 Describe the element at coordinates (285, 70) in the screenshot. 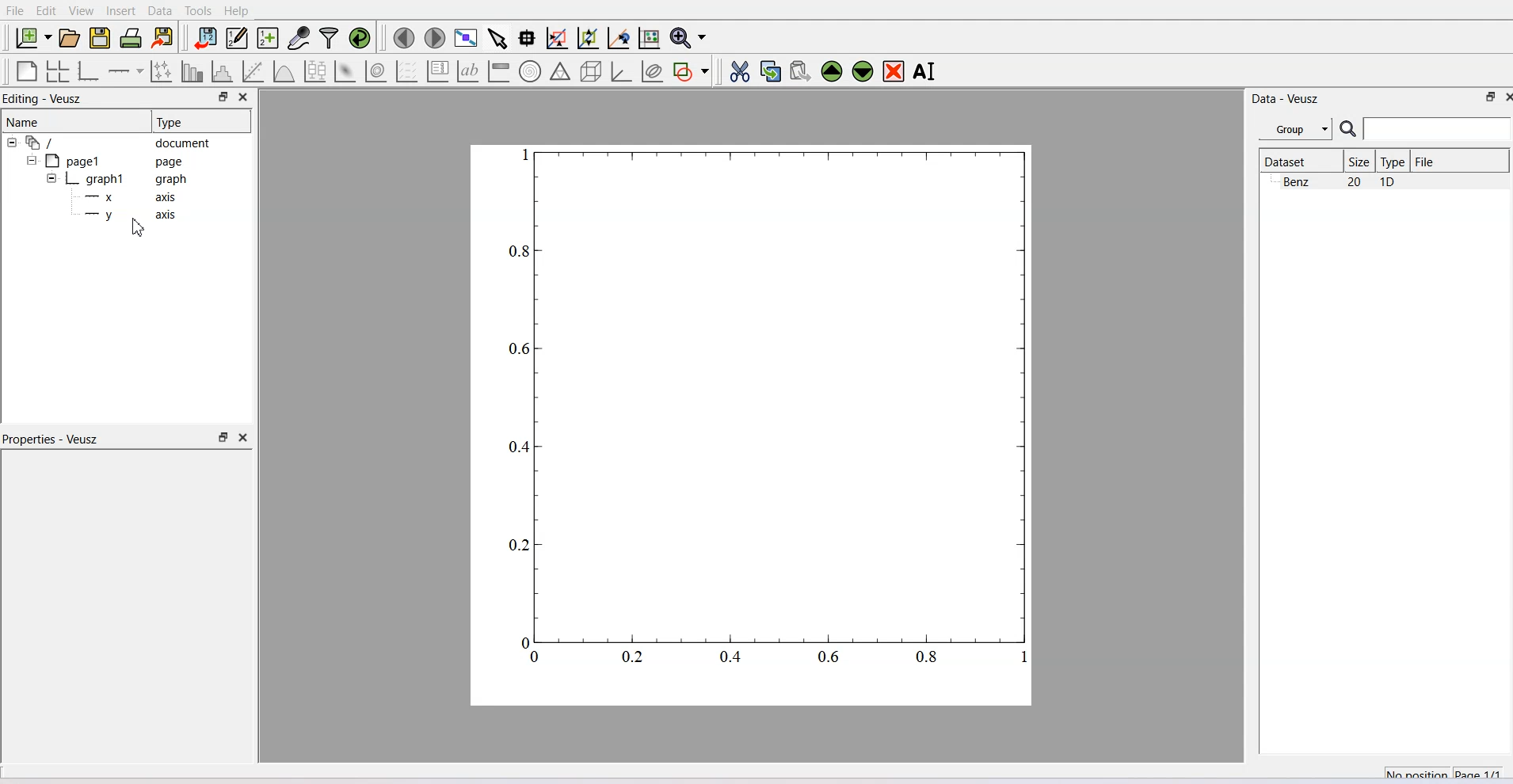

I see `Plot a function` at that location.